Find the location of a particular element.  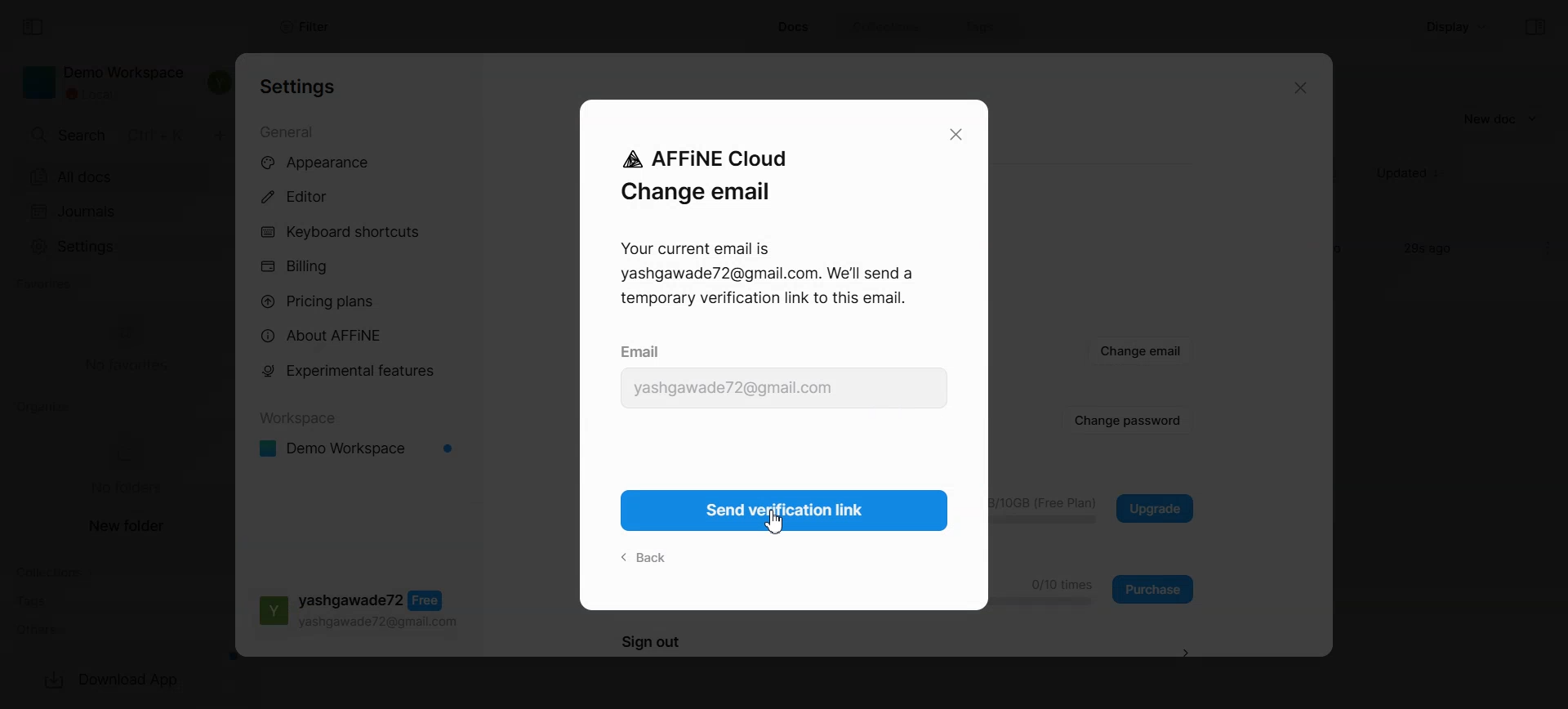

change email is located at coordinates (695, 194).